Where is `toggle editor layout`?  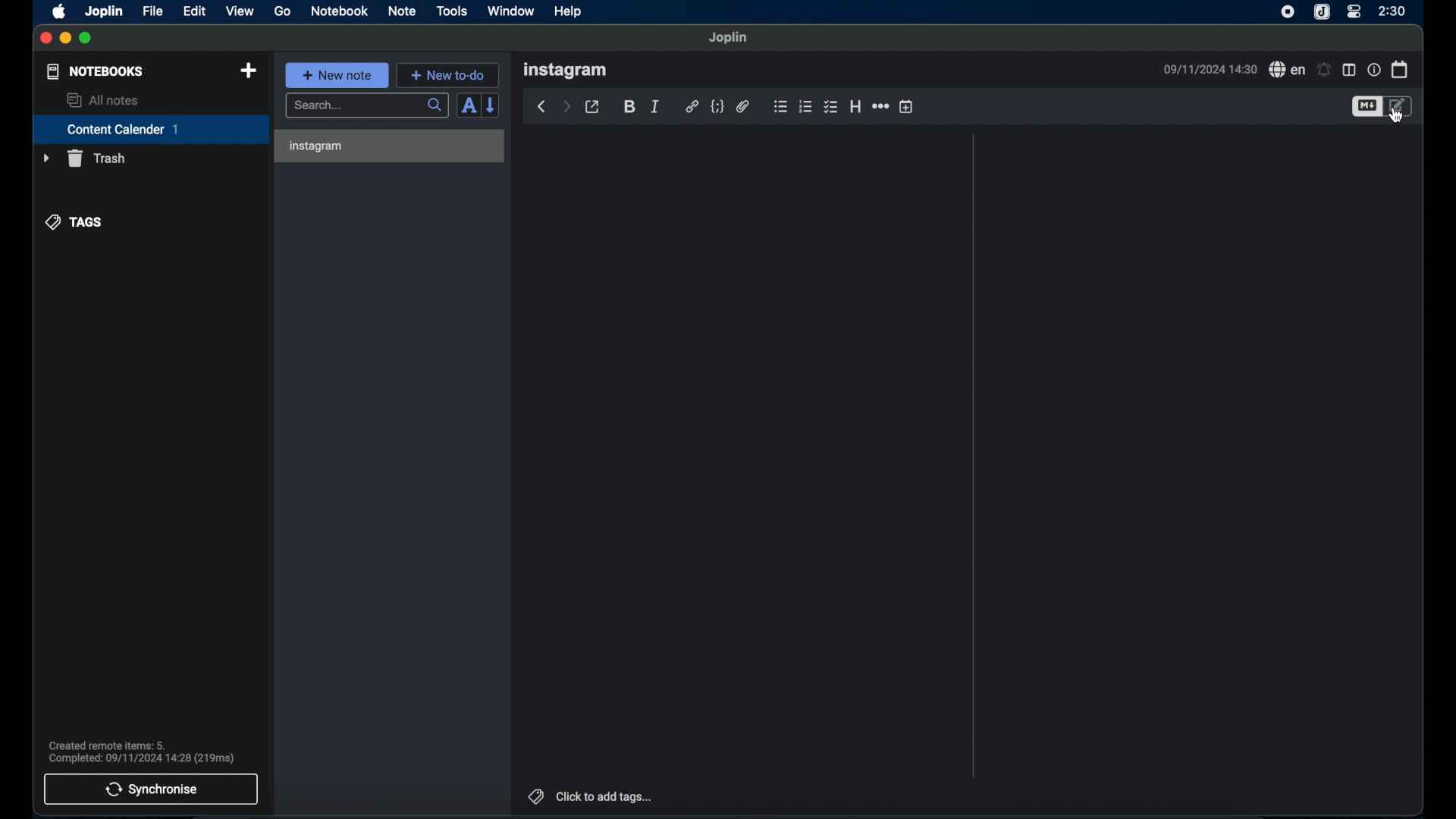
toggle editor layout is located at coordinates (1349, 71).